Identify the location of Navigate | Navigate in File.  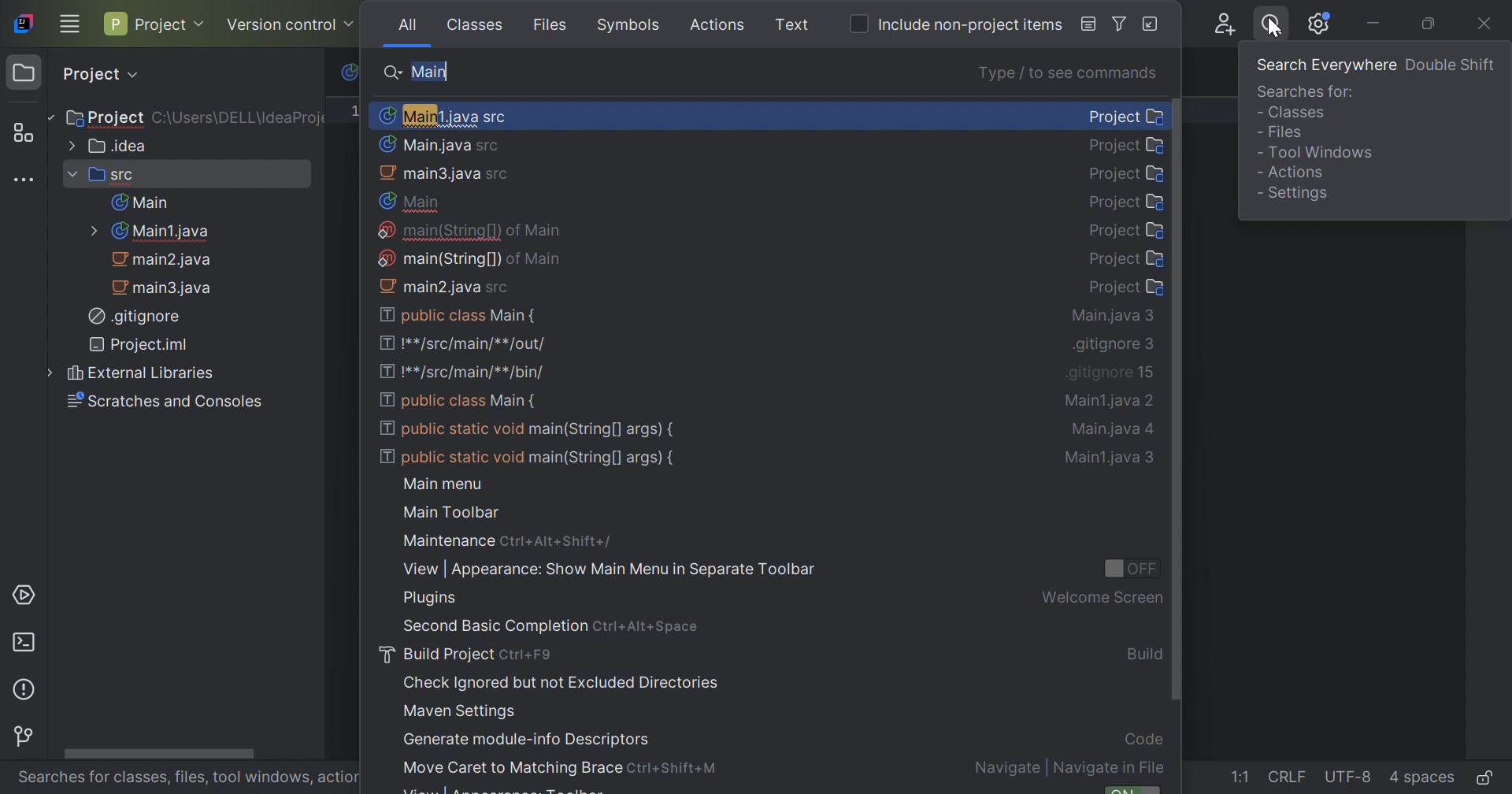
(1069, 768).